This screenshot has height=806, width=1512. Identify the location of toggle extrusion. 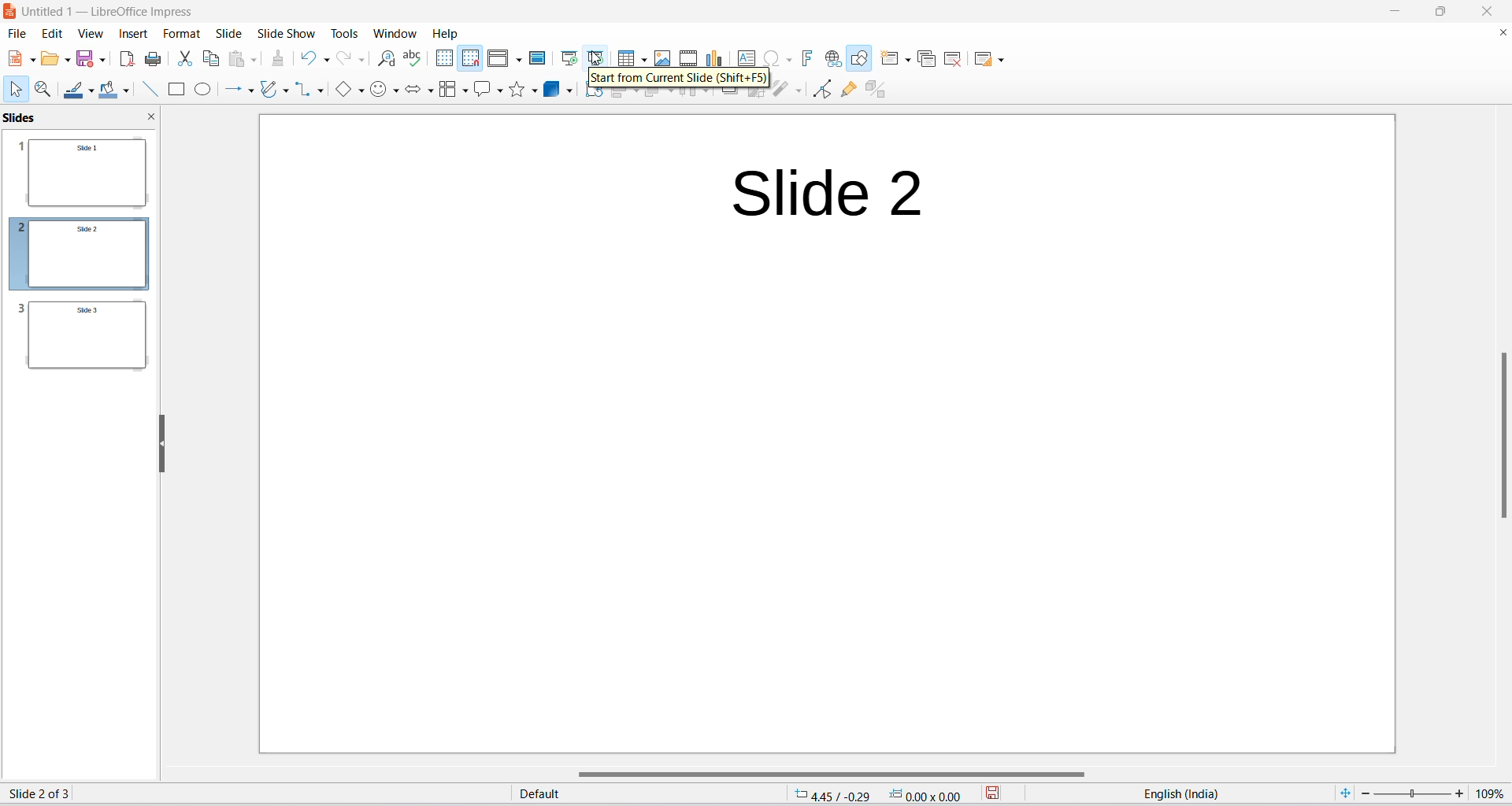
(876, 89).